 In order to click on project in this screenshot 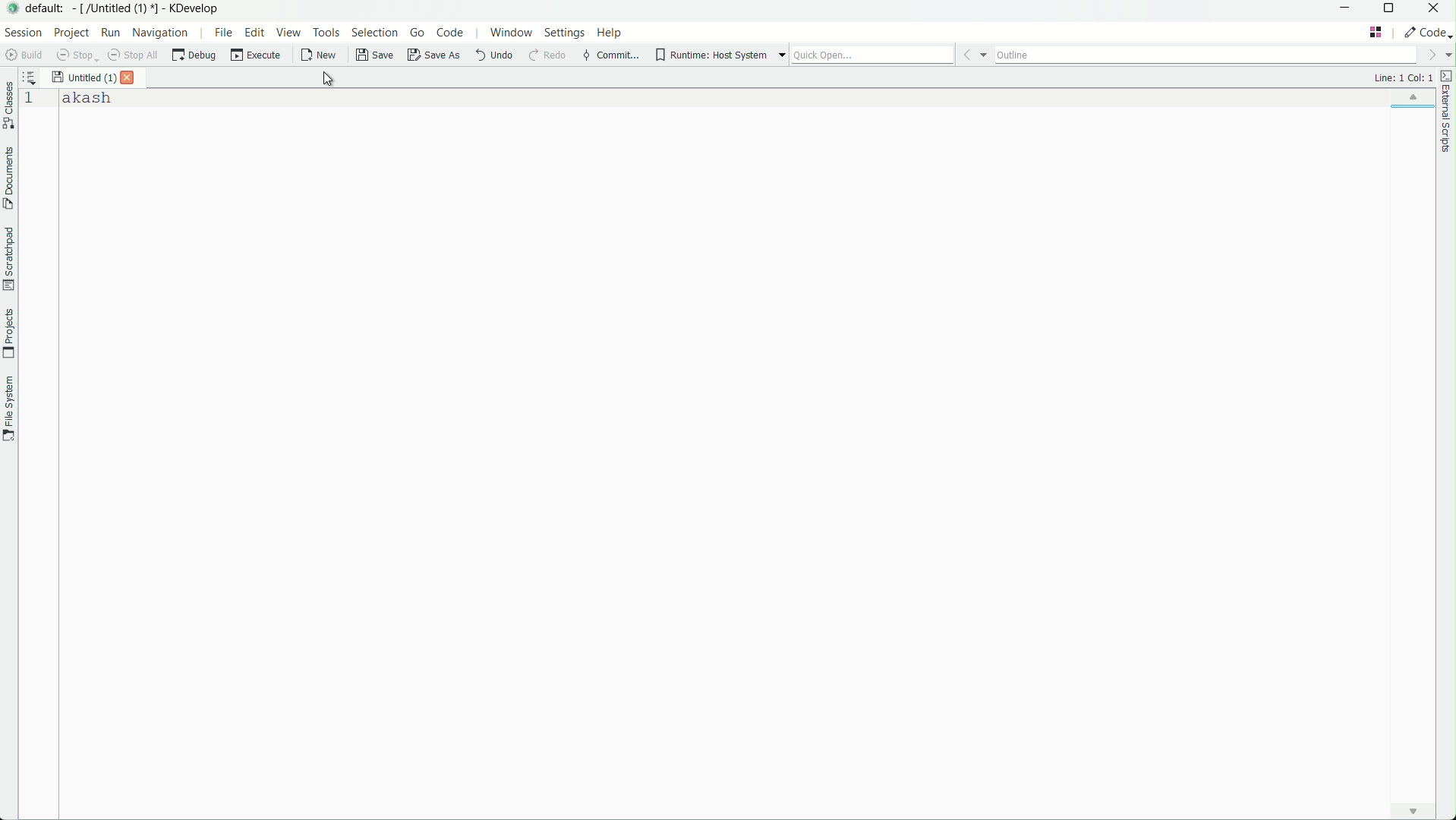, I will do `click(74, 33)`.